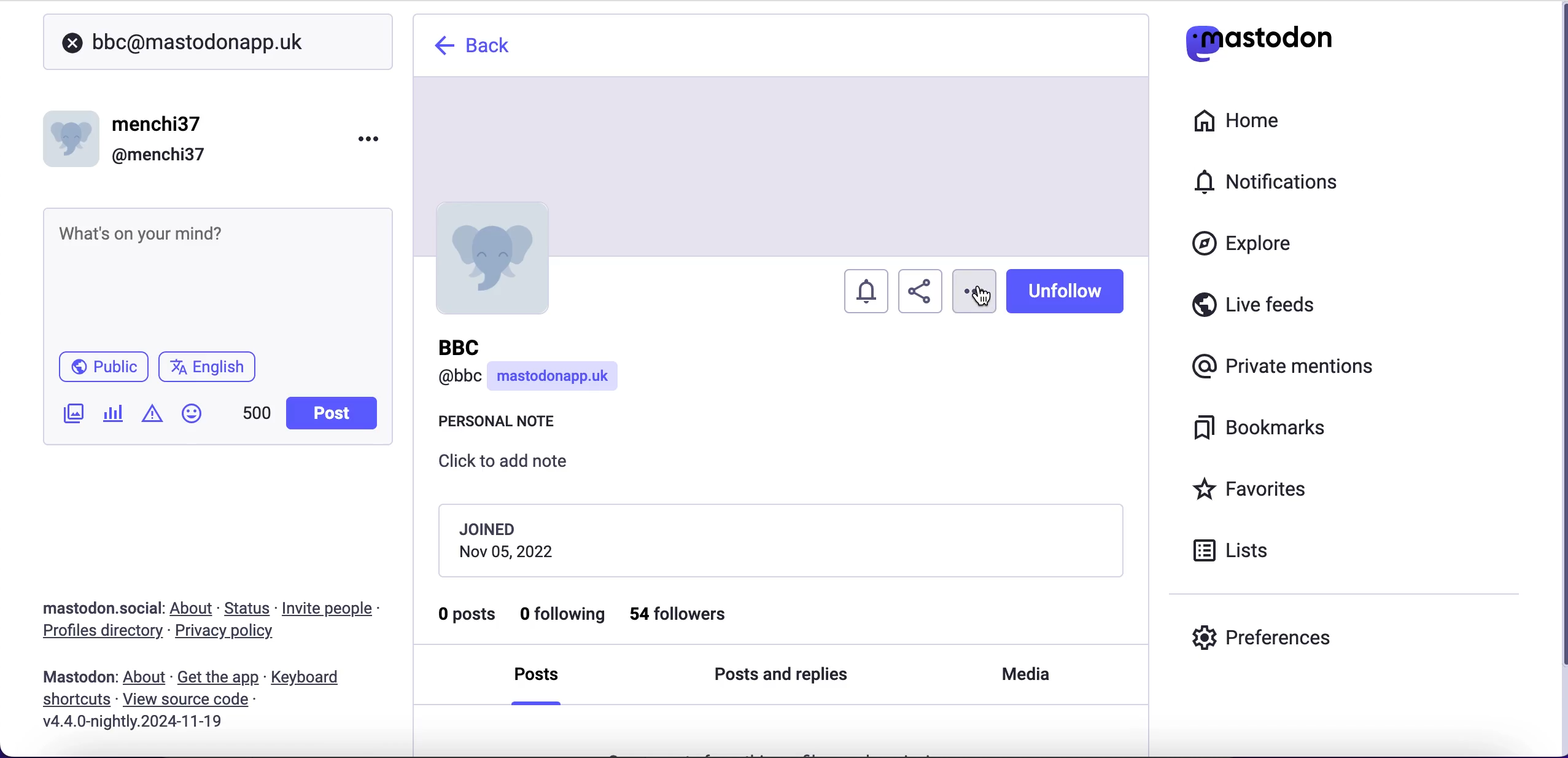 The height and width of the screenshot is (758, 1568). I want to click on private mentions, so click(1287, 363).